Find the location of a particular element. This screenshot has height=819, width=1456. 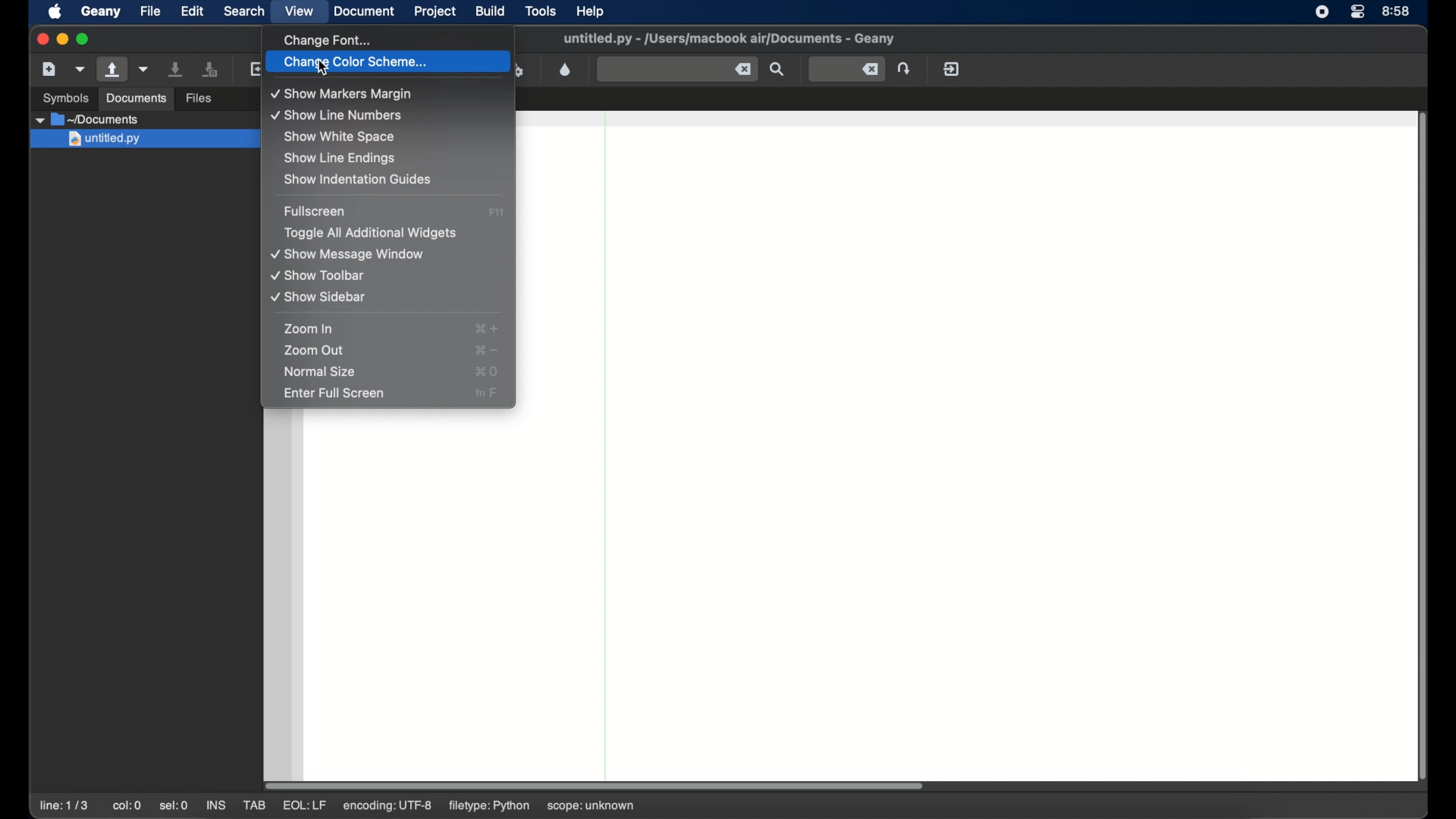

find the entered text in current file is located at coordinates (777, 70).